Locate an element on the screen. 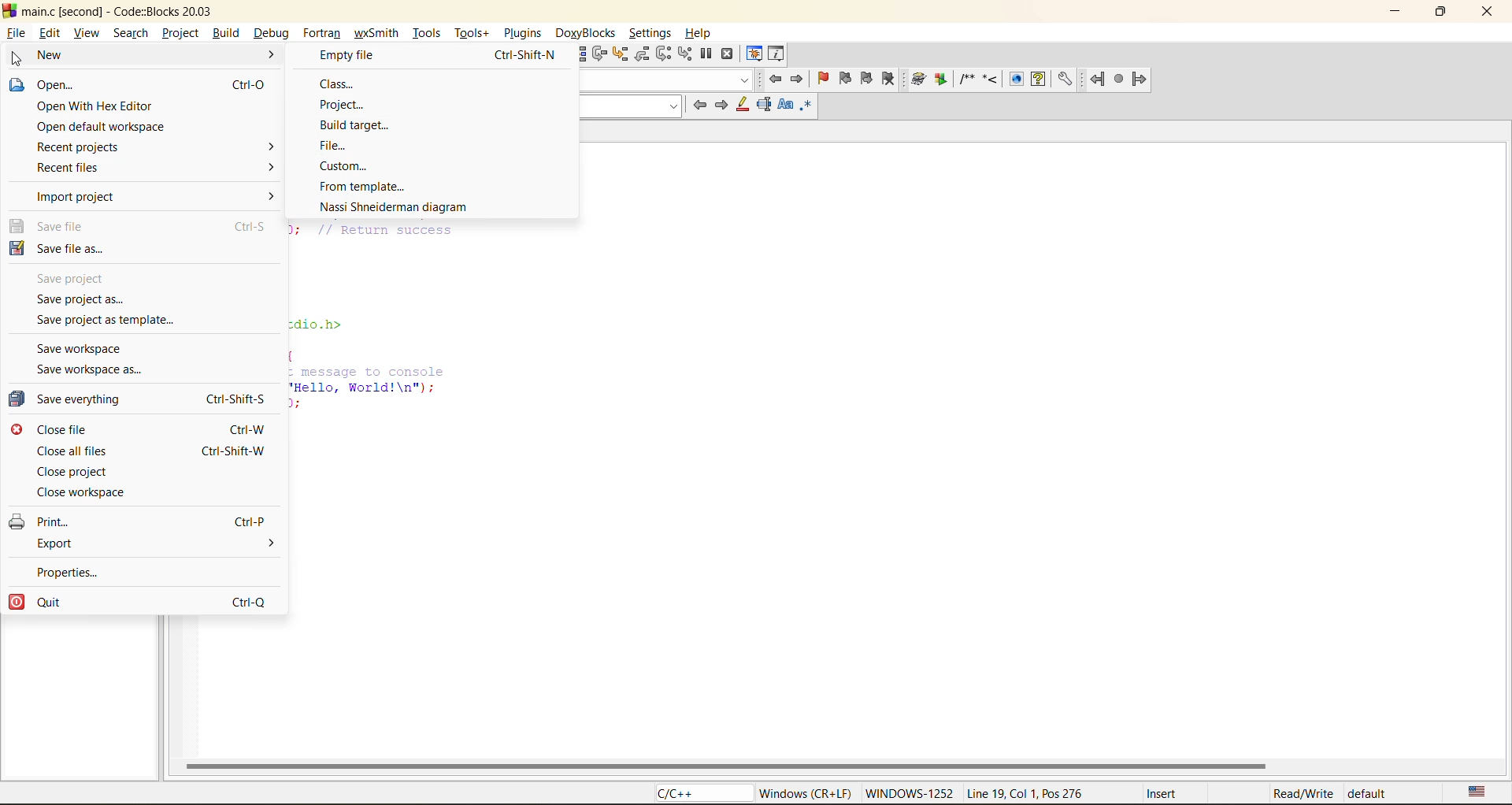 Image resolution: width=1512 pixels, height=805 pixels. custom is located at coordinates (354, 167).